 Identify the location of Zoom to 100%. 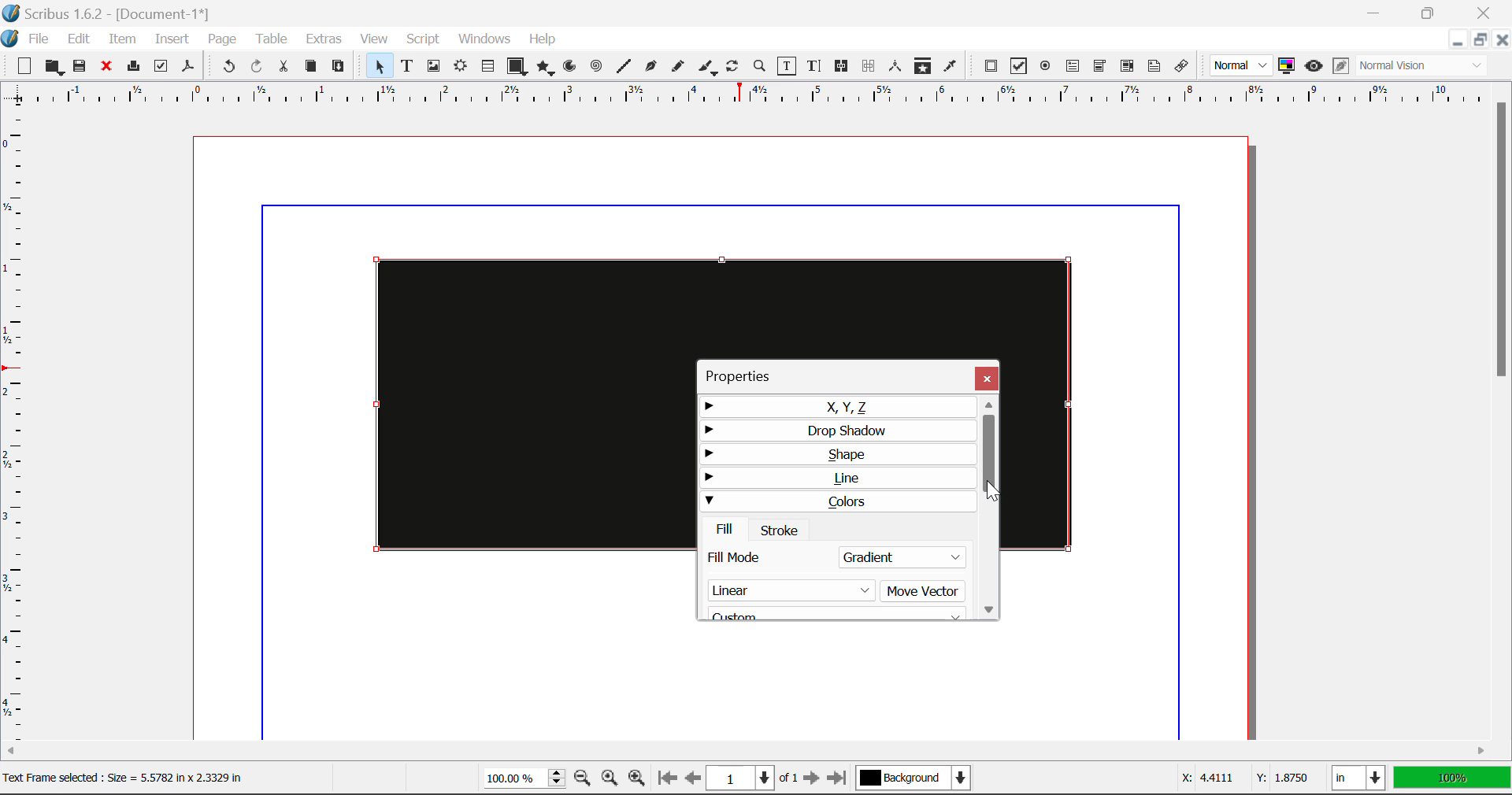
(610, 780).